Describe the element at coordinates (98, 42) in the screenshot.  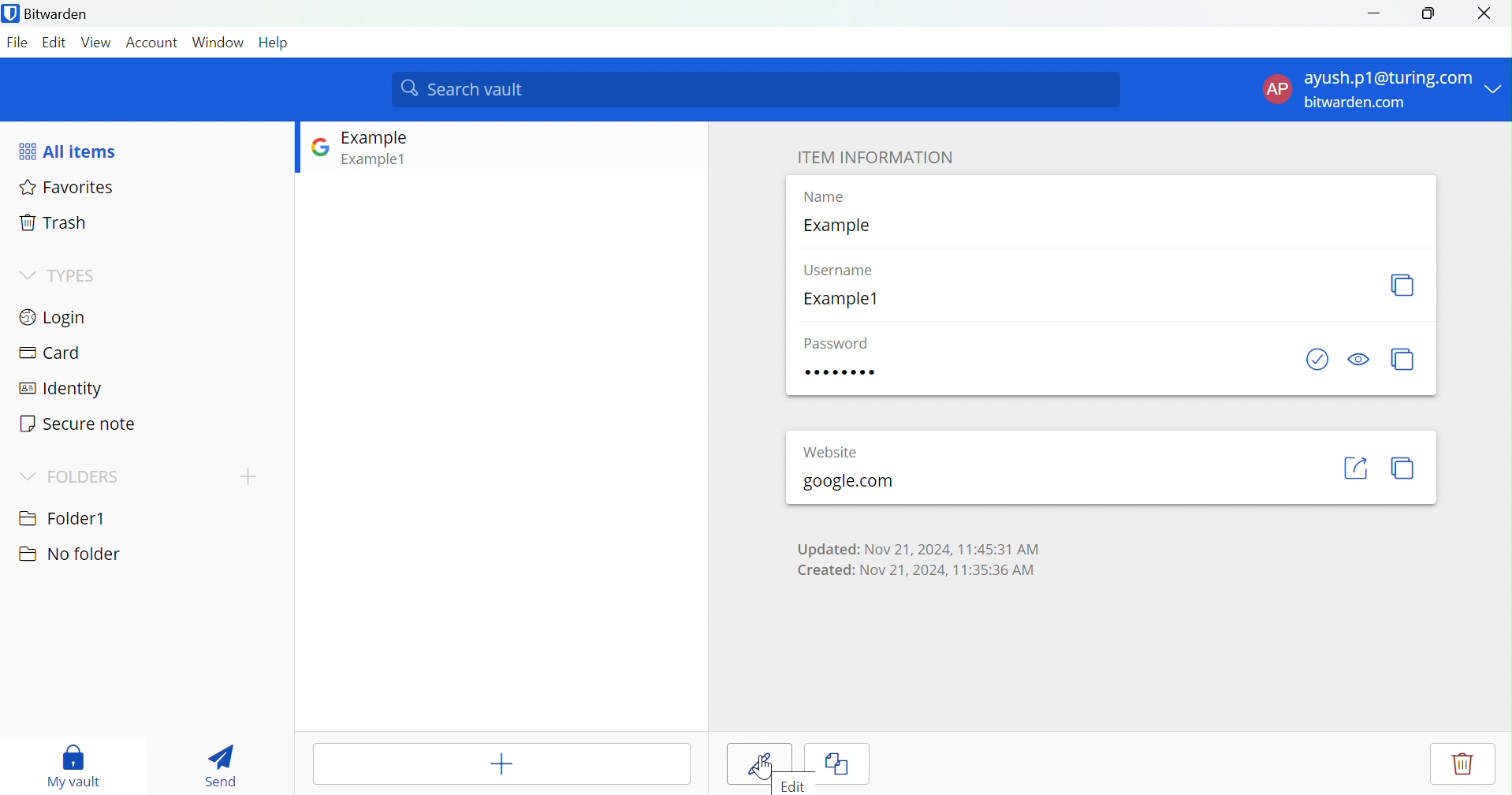
I see `View` at that location.